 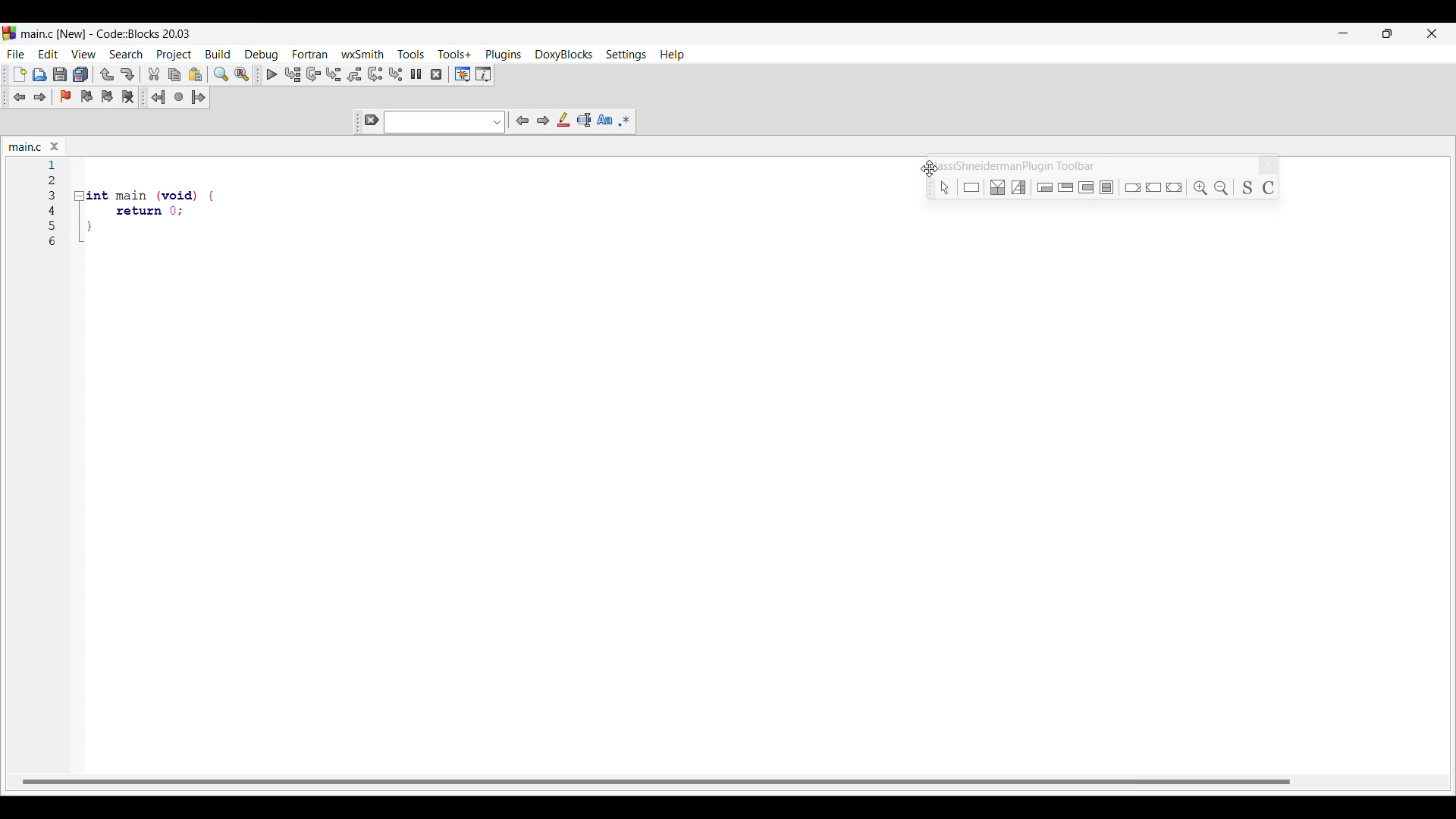 I want to click on Software logo, so click(x=9, y=33).